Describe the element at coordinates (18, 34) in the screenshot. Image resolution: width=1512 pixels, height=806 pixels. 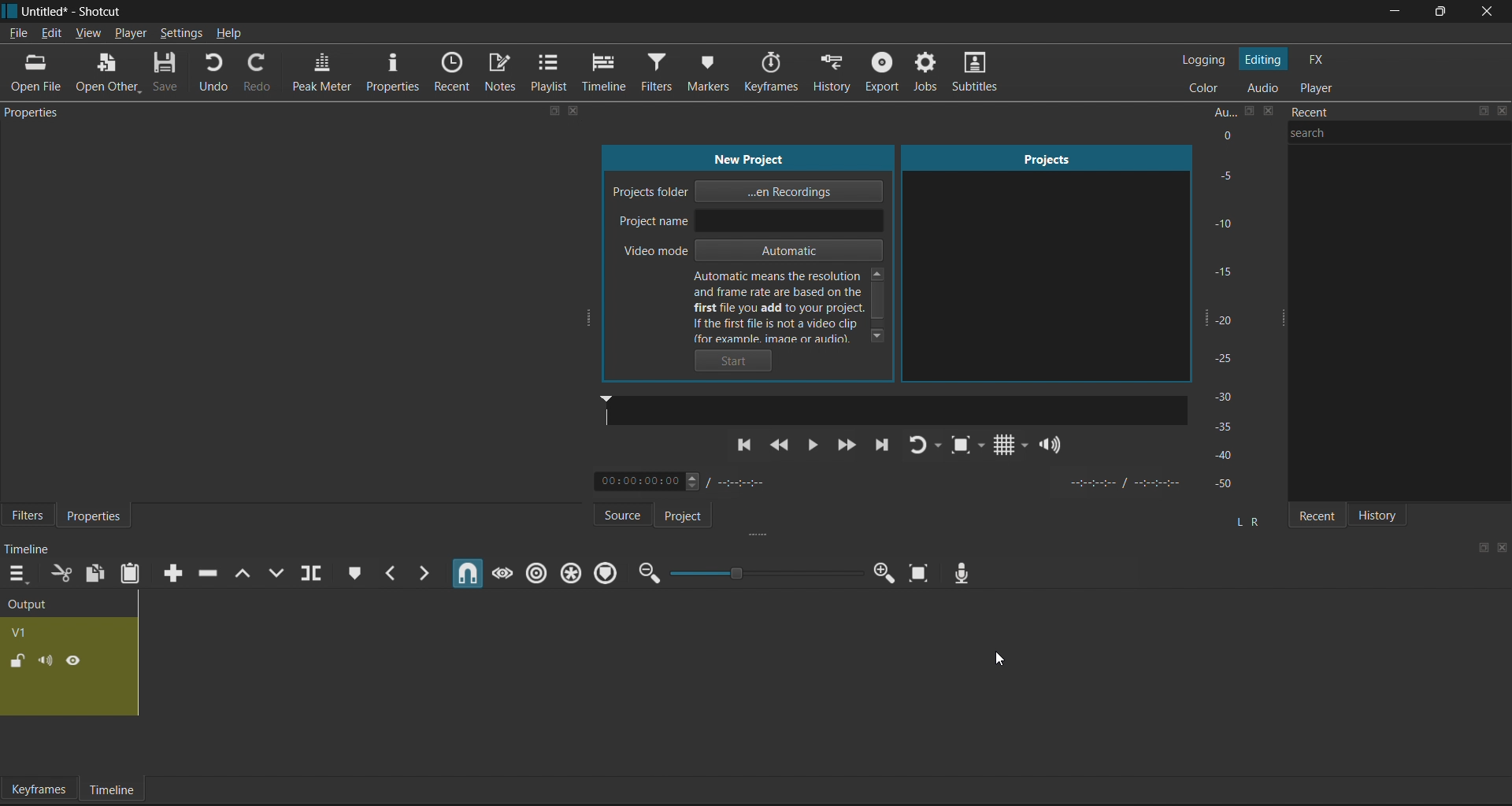
I see `File` at that location.